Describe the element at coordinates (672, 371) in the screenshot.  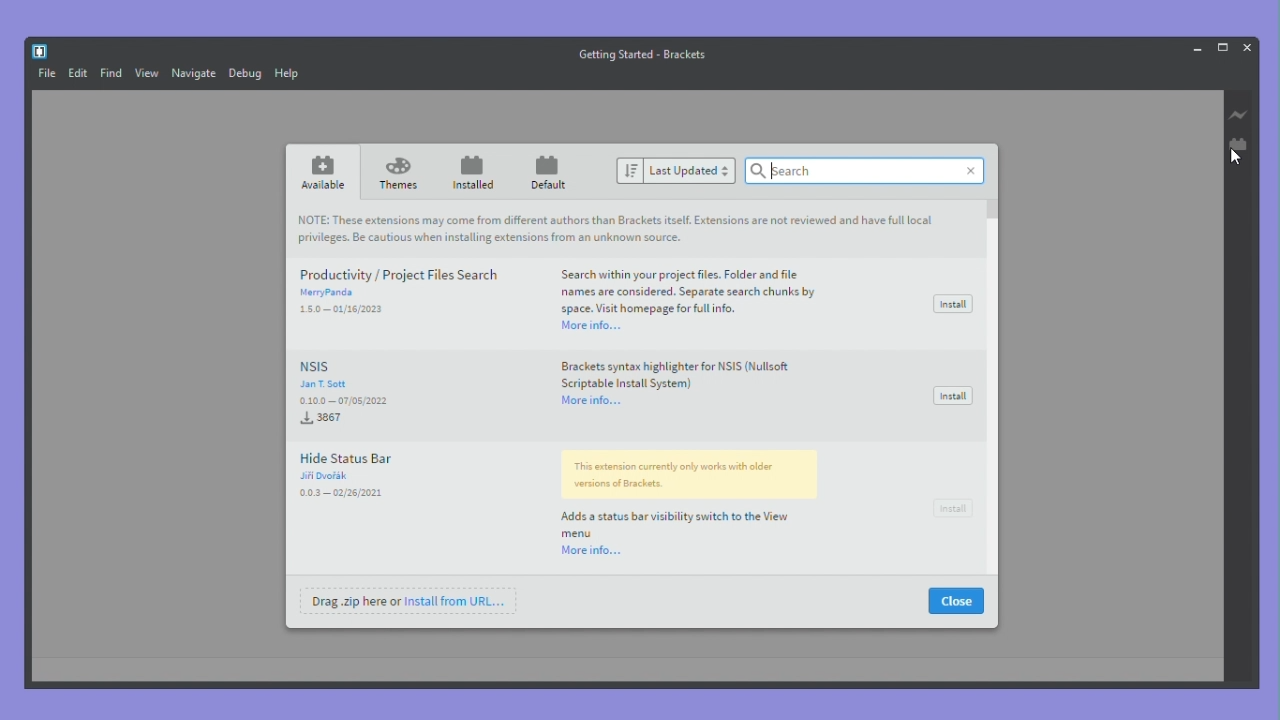
I see `Brackets syntax highlighters` at that location.